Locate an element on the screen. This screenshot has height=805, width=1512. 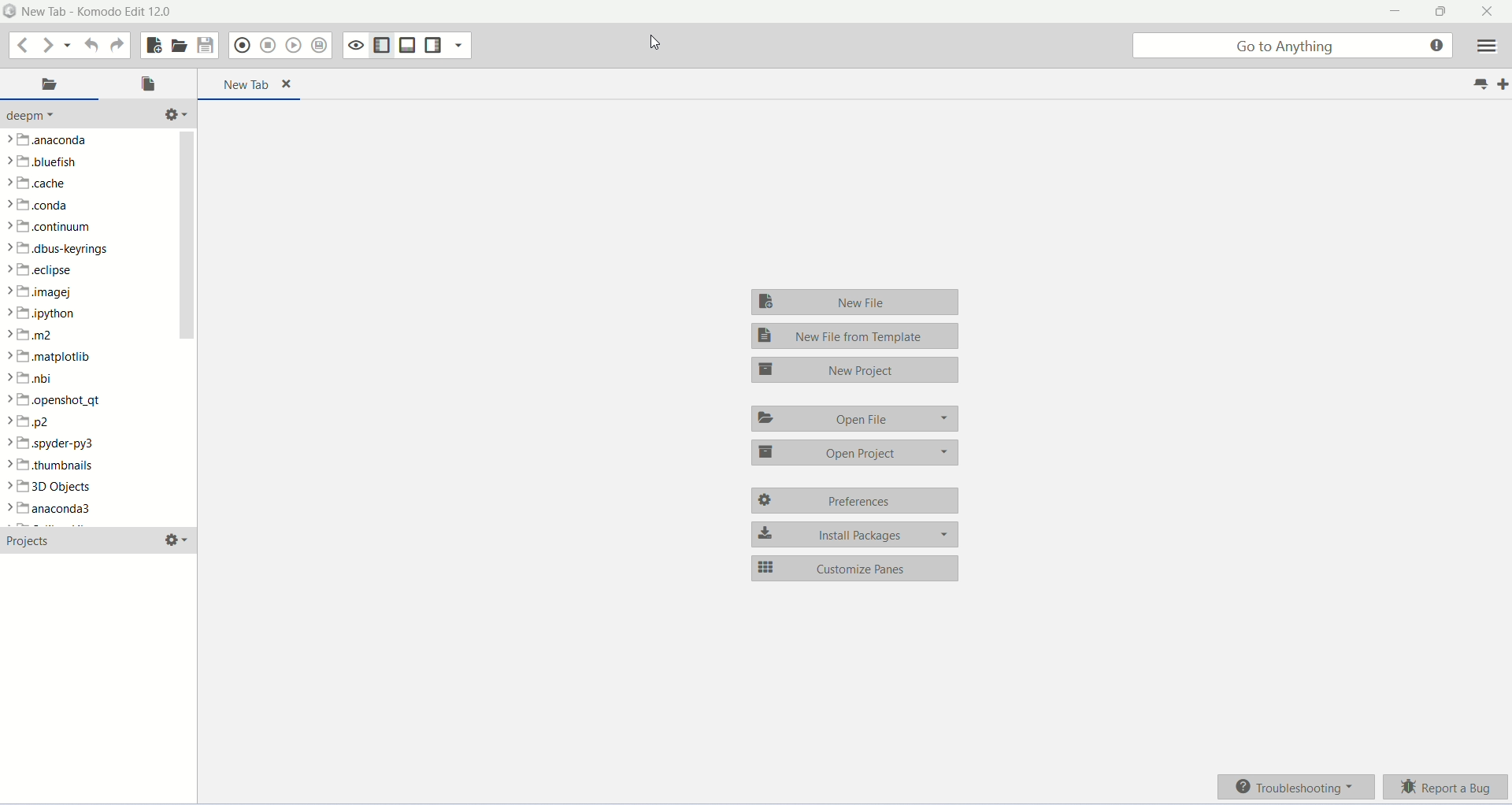
toggle focus mode is located at coordinates (355, 44).